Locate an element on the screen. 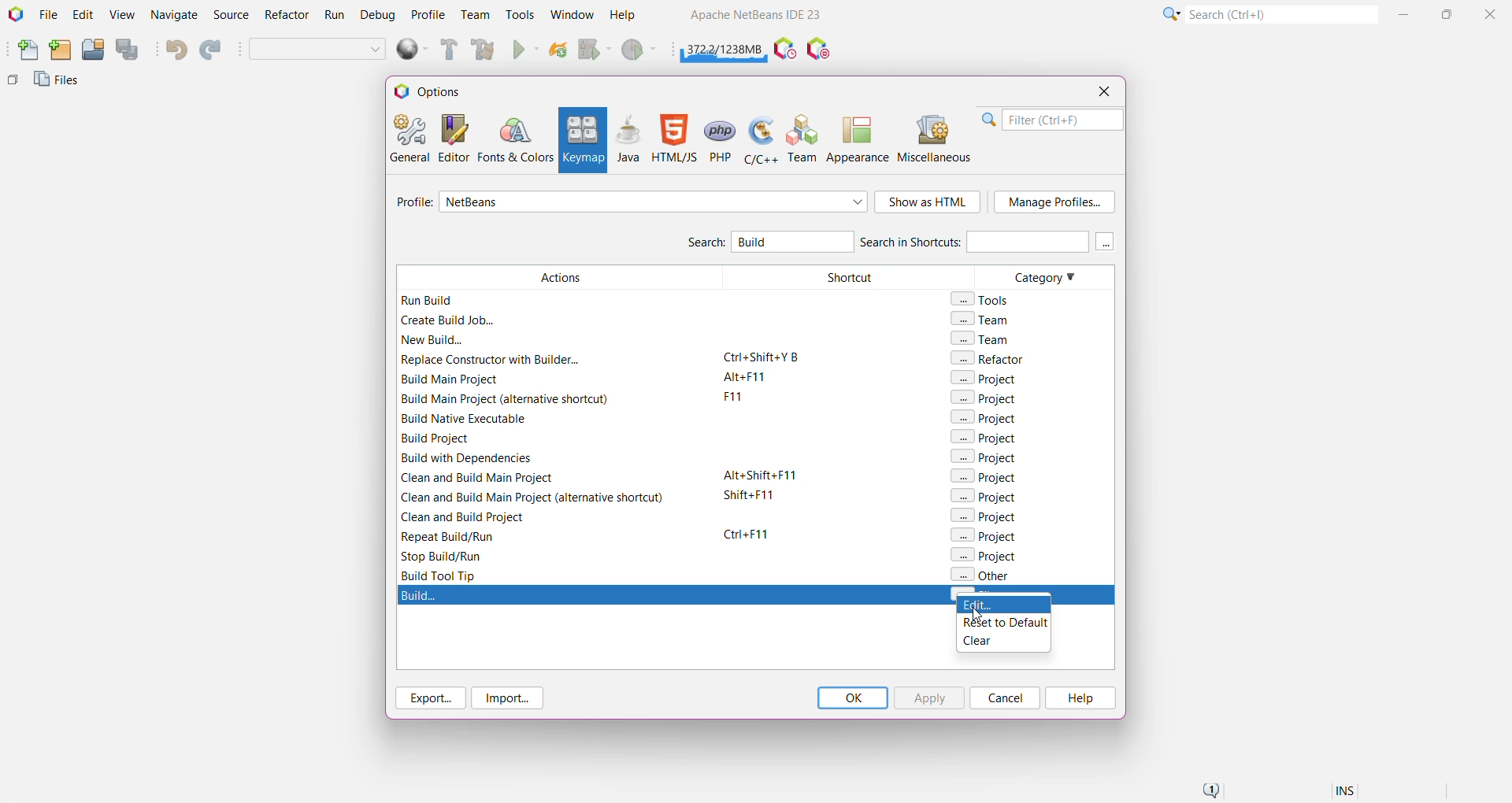 Image resolution: width=1512 pixels, height=803 pixels. Show as HTML is located at coordinates (928, 203).